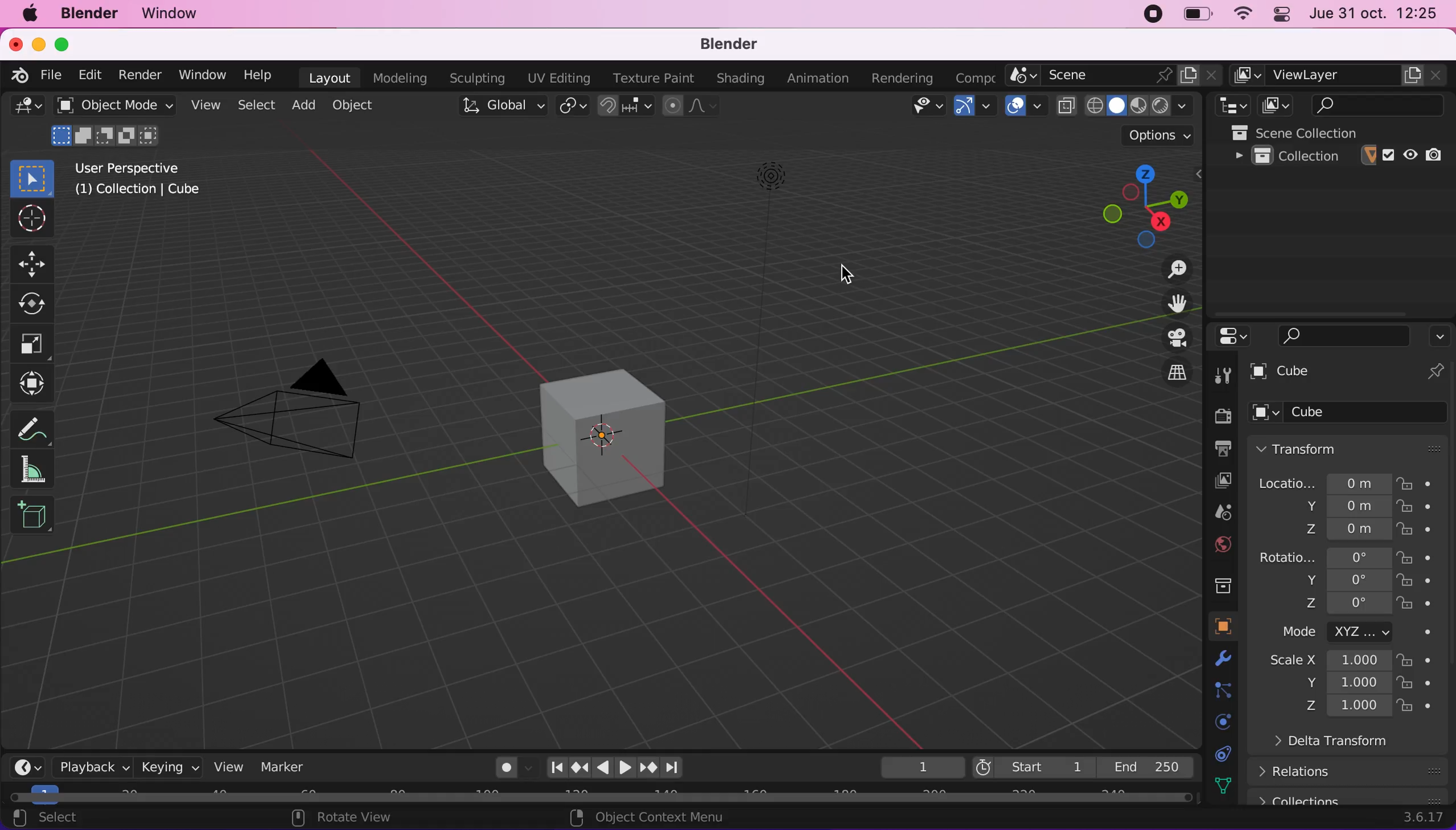 The height and width of the screenshot is (830, 1456). Describe the element at coordinates (177, 14) in the screenshot. I see `window` at that location.